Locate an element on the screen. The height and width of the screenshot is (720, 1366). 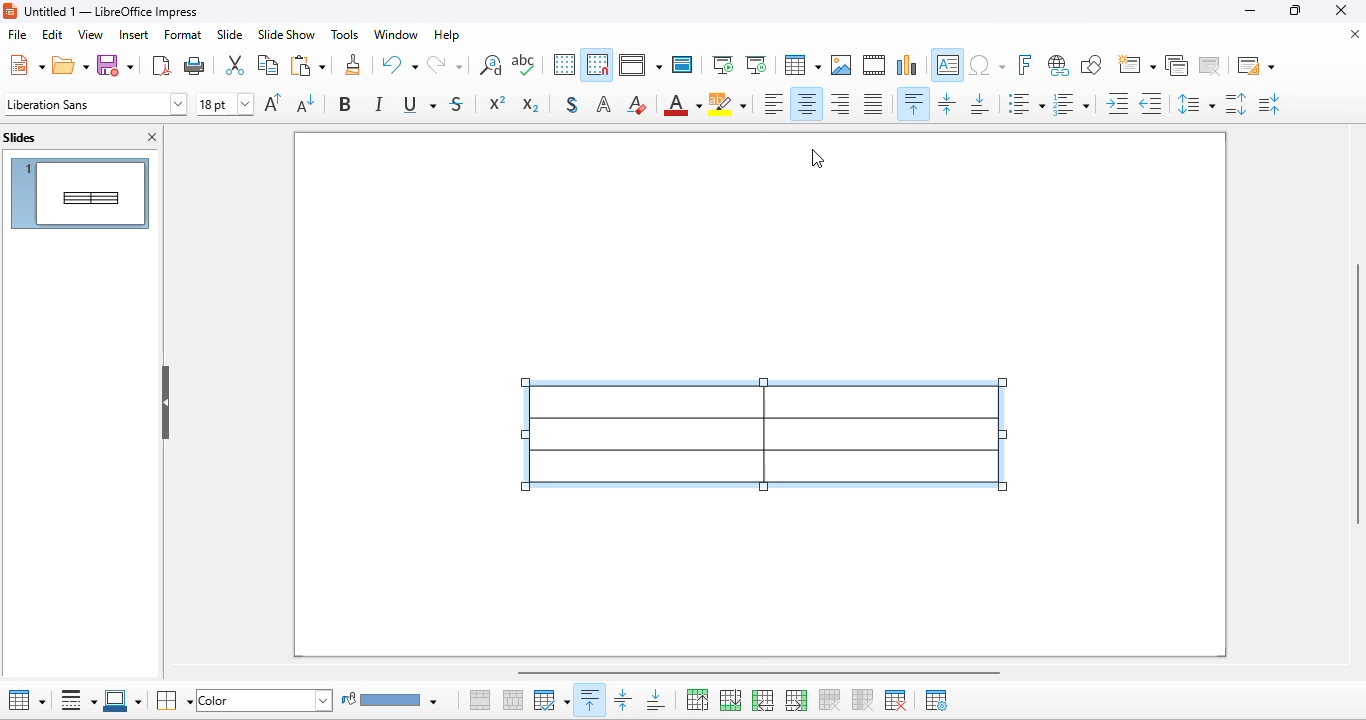
undo is located at coordinates (400, 64).